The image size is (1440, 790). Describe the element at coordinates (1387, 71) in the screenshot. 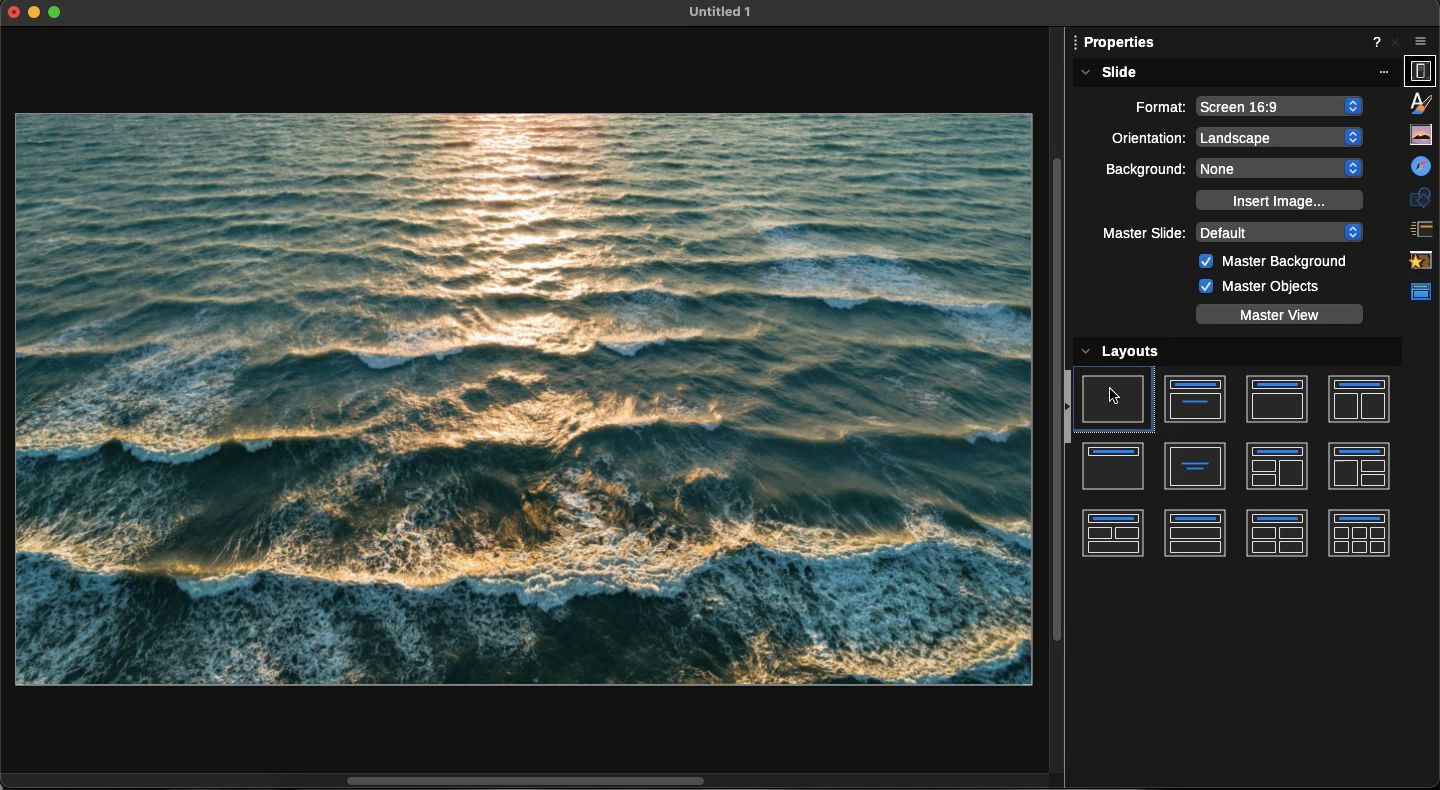

I see `More options` at that location.